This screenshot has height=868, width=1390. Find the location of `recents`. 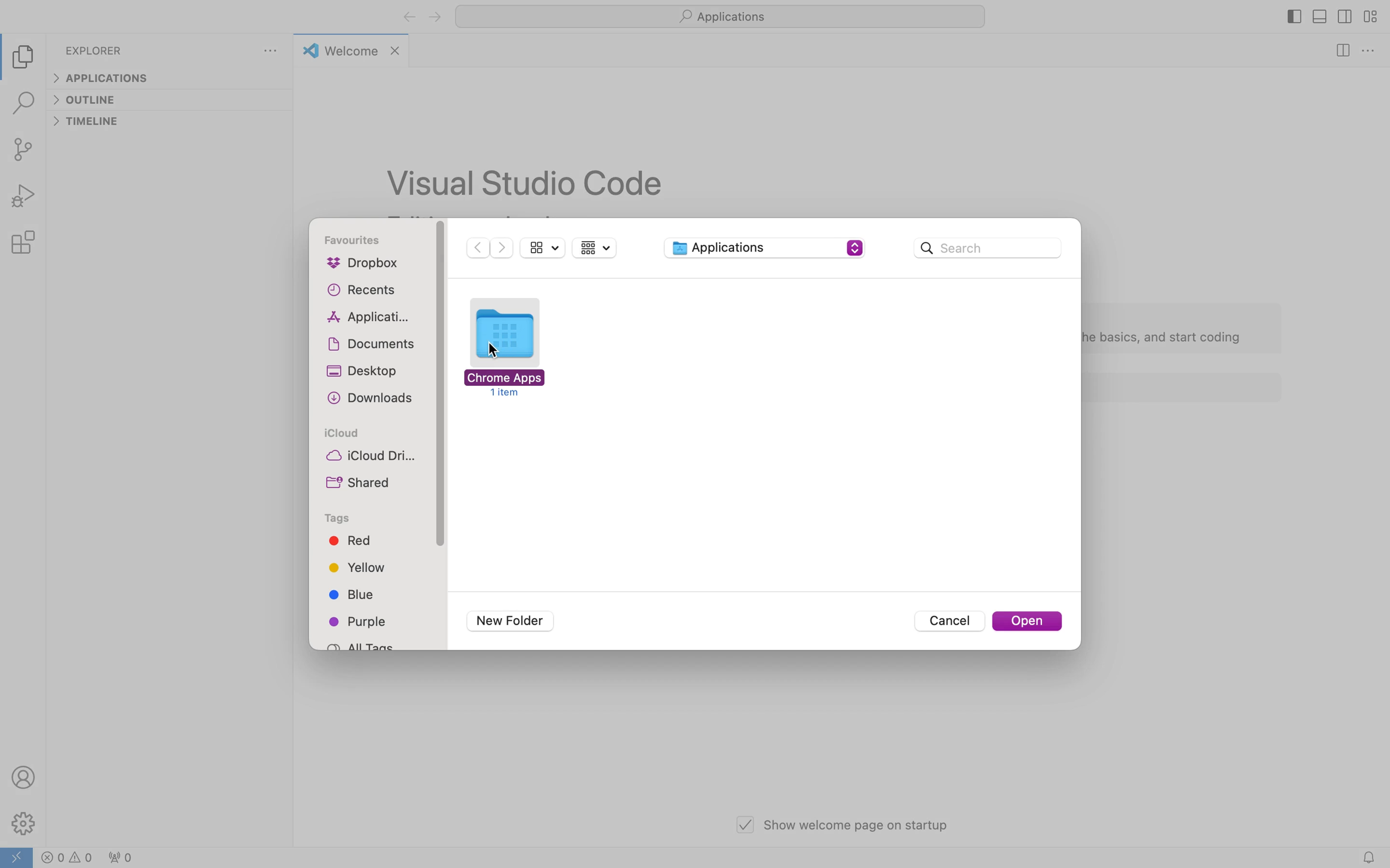

recents is located at coordinates (366, 290).